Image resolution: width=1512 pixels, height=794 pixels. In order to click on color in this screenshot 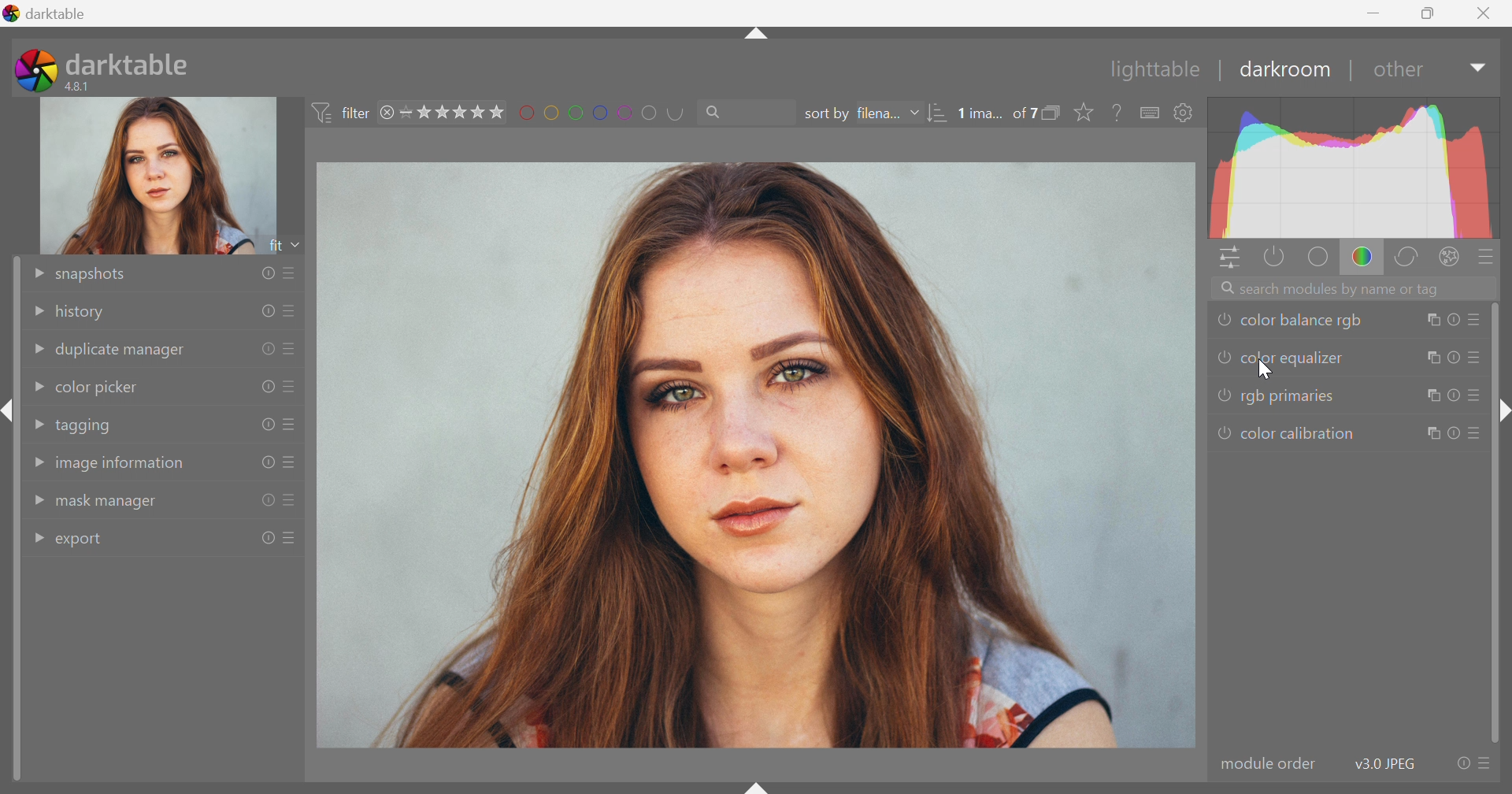, I will do `click(1362, 258)`.